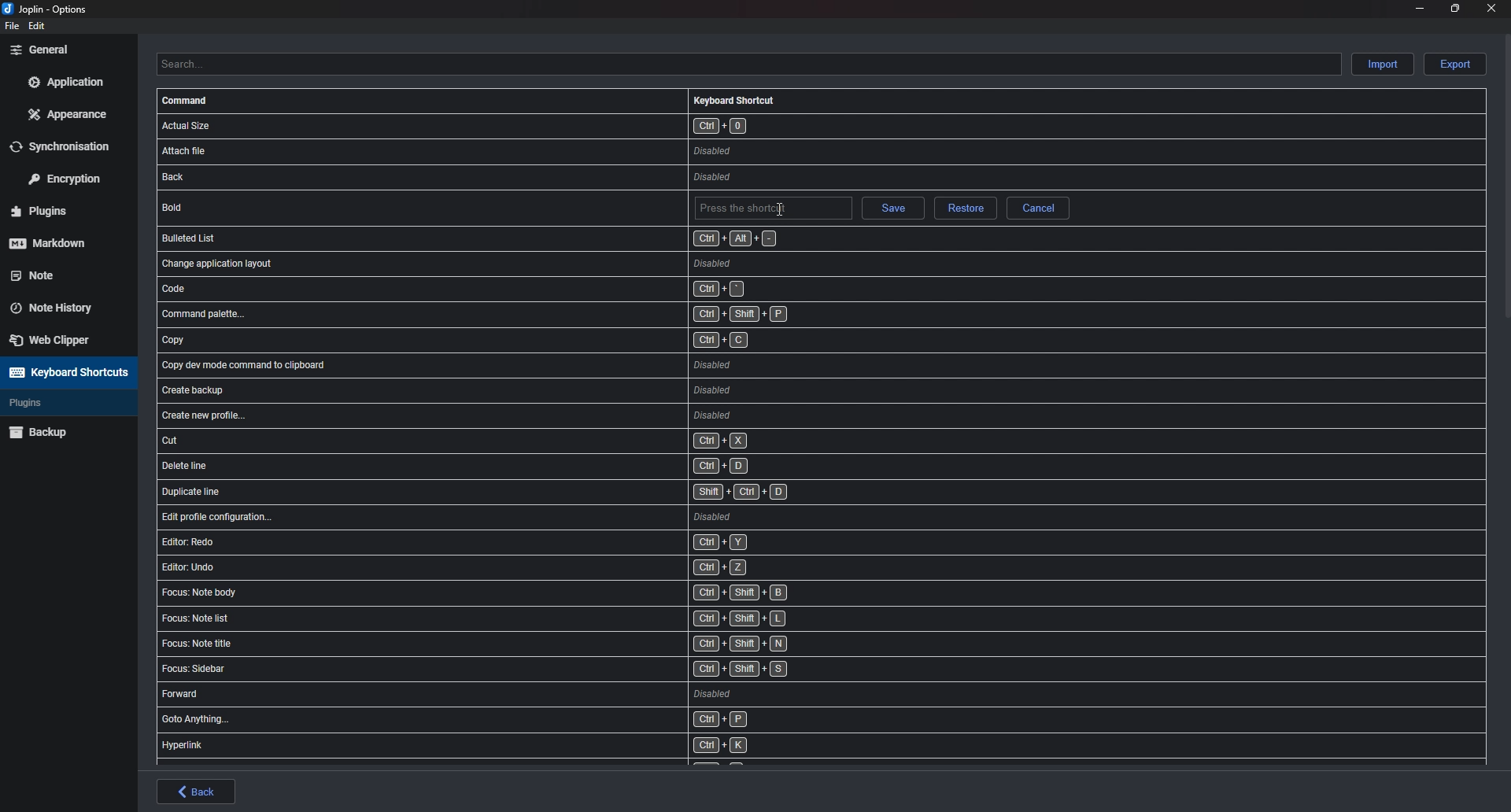 The height and width of the screenshot is (812, 1511). I want to click on shortcut, so click(468, 238).